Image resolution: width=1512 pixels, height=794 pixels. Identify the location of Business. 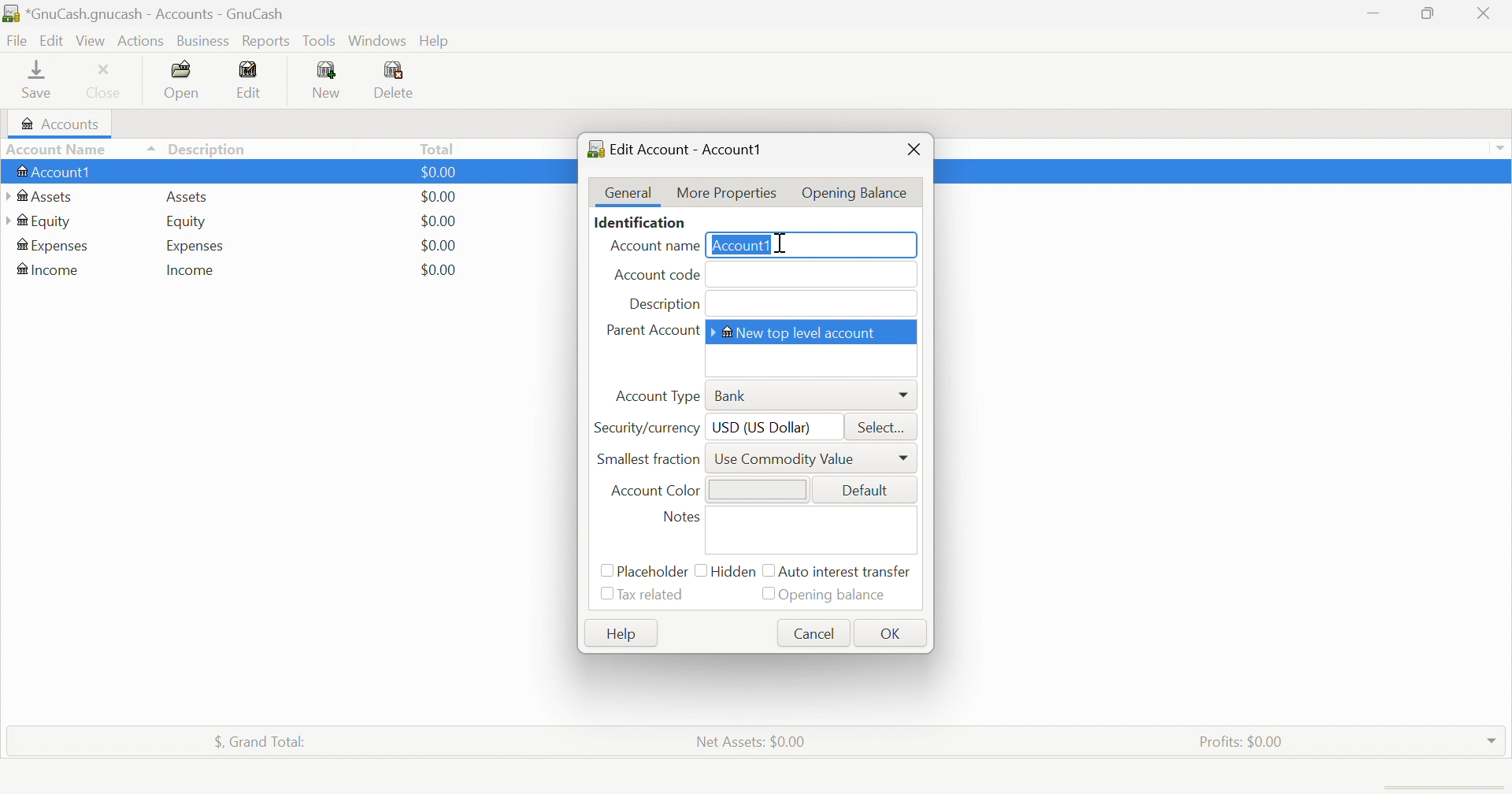
(202, 42).